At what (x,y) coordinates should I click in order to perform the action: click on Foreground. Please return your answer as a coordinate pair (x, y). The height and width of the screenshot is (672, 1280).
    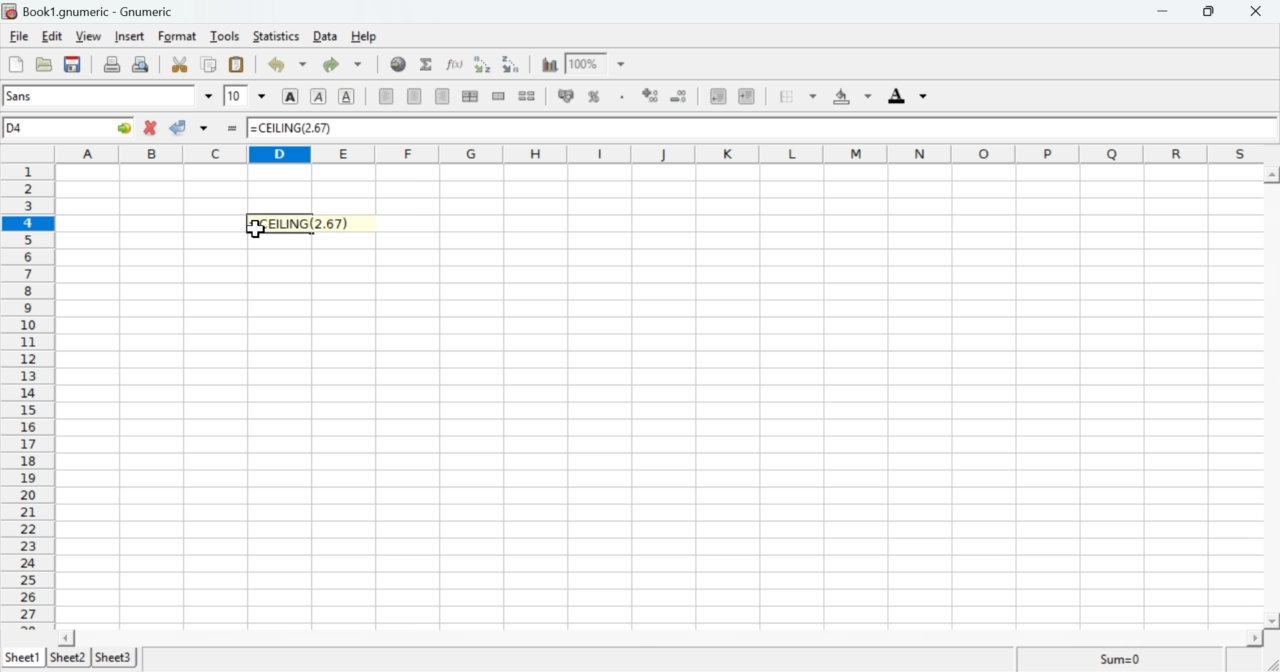
    Looking at the image, I should click on (911, 95).